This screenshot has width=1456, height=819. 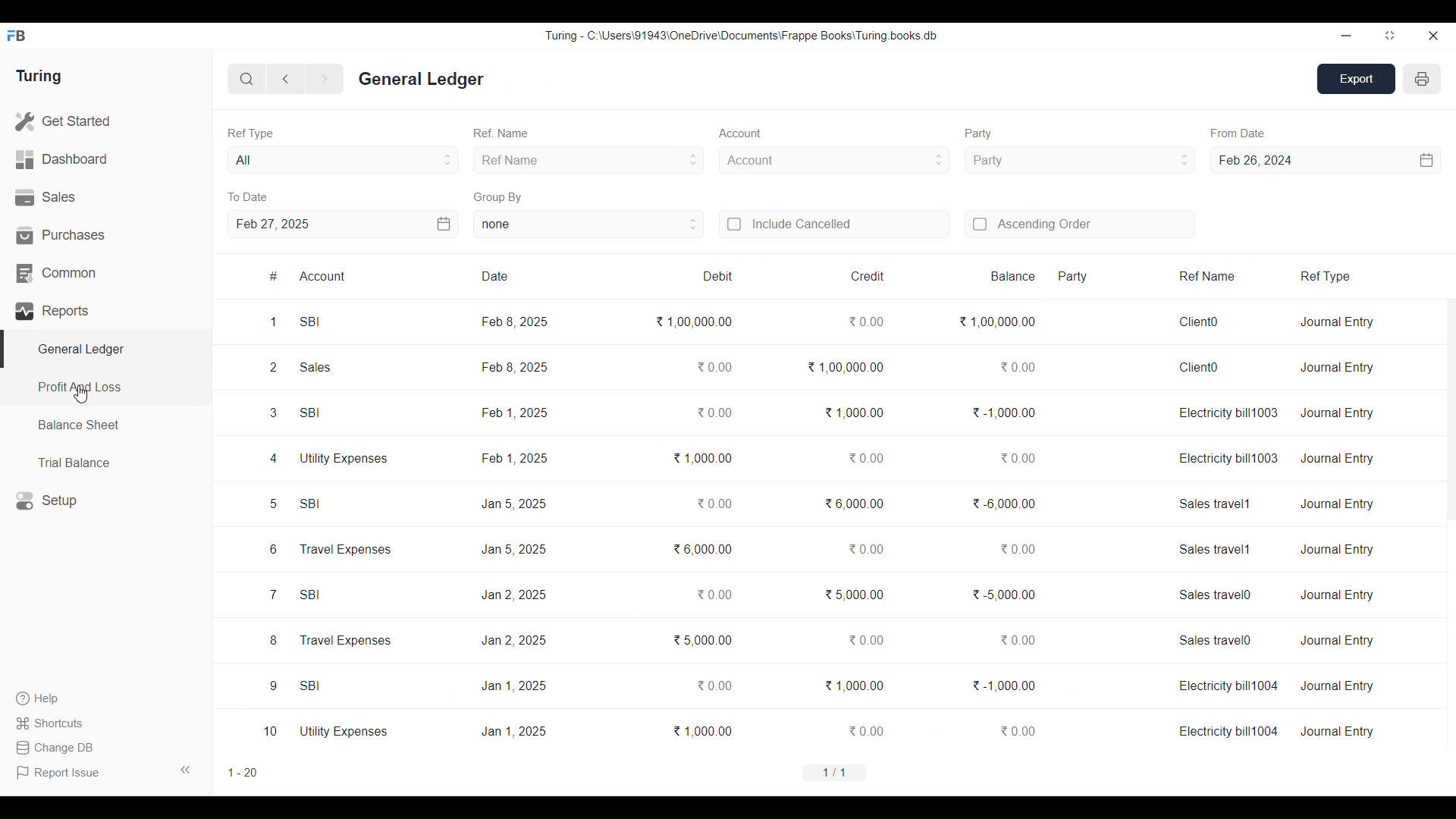 What do you see at coordinates (105, 274) in the screenshot?
I see `Common` at bounding box center [105, 274].